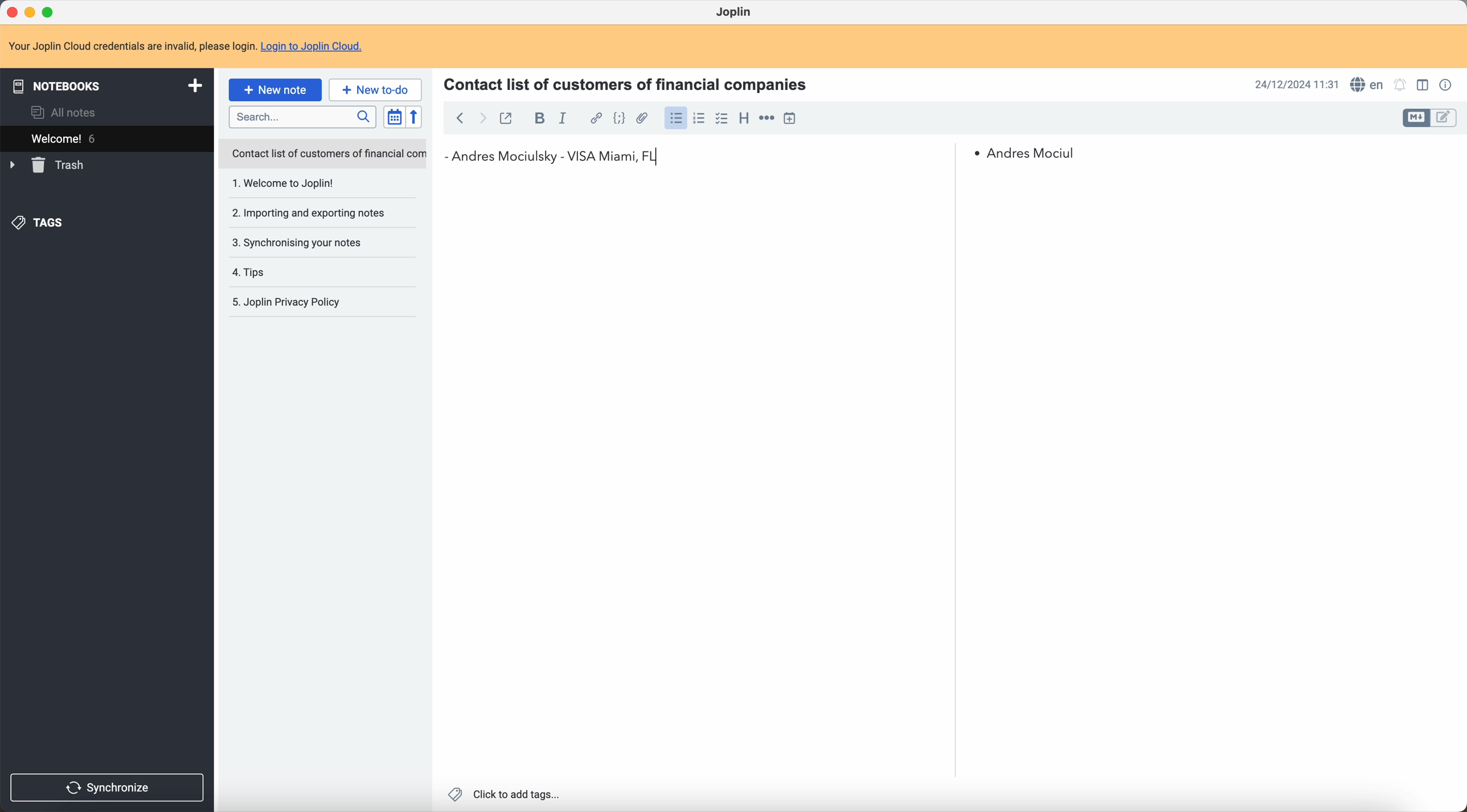 Image resolution: width=1467 pixels, height=812 pixels. Describe the element at coordinates (595, 118) in the screenshot. I see `hyperlink` at that location.